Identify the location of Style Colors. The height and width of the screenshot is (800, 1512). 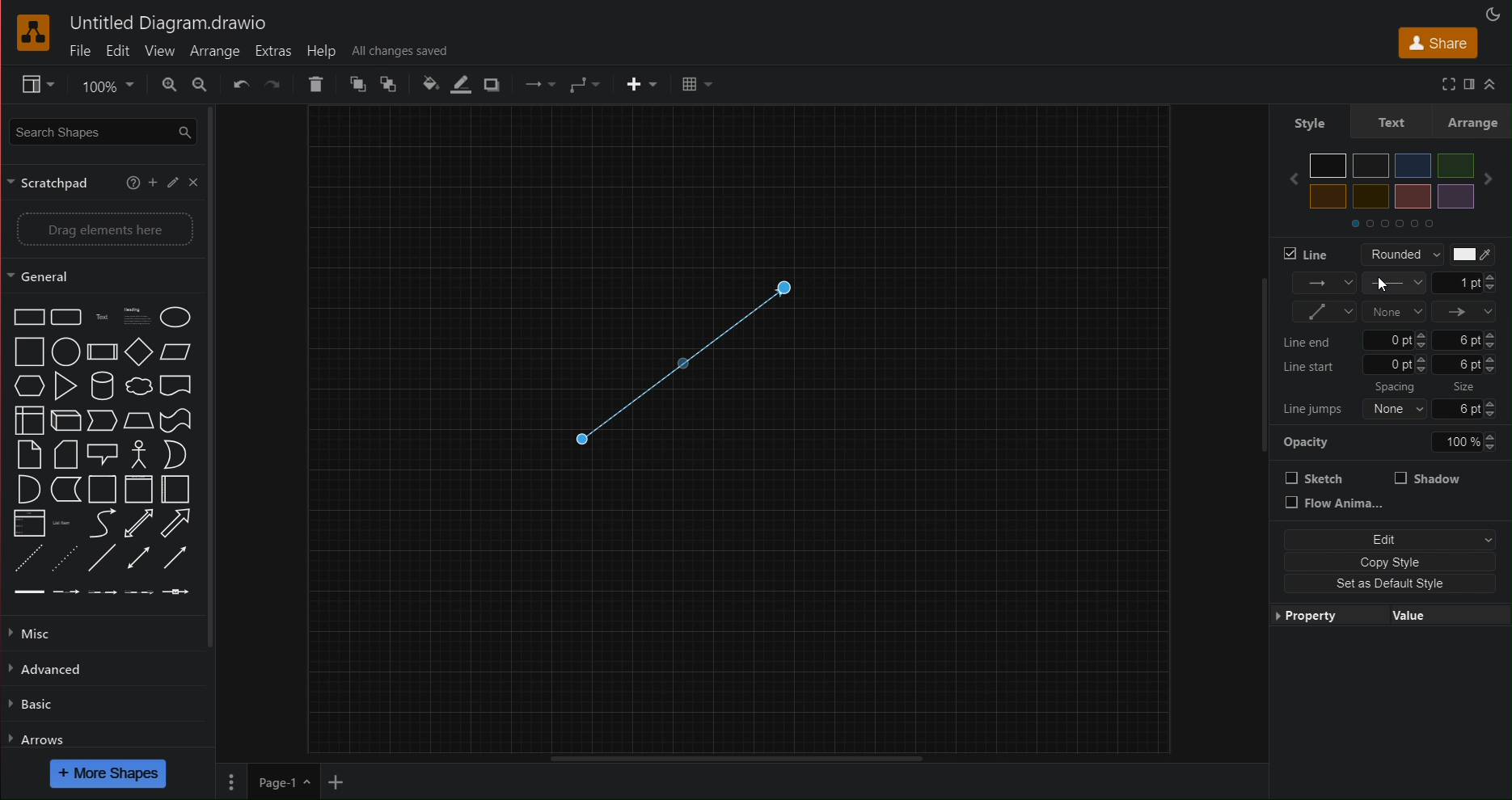
(1396, 188).